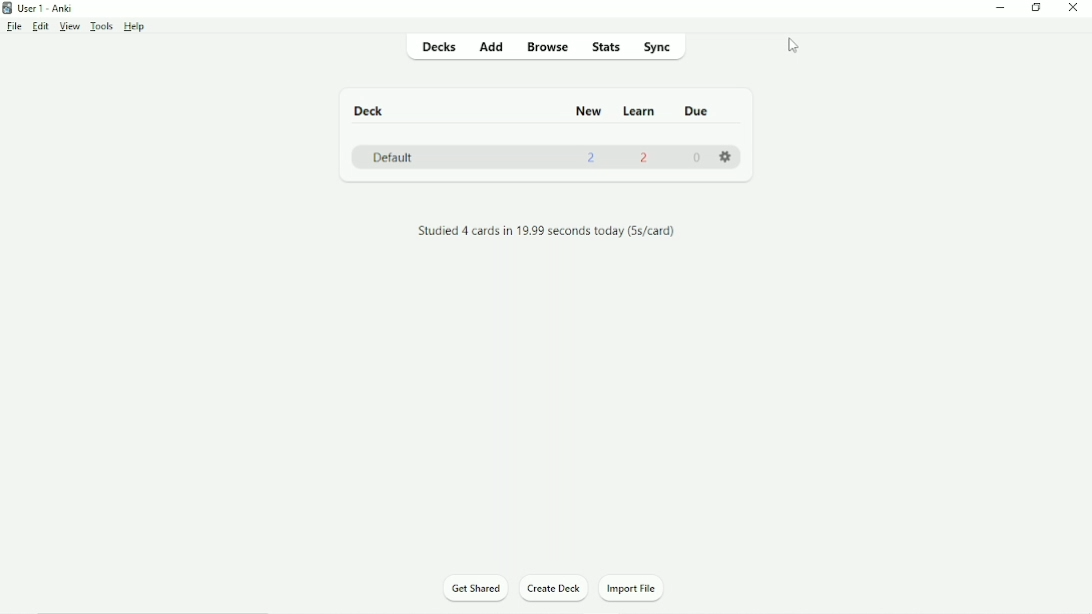  Describe the element at coordinates (647, 161) in the screenshot. I see `2` at that location.